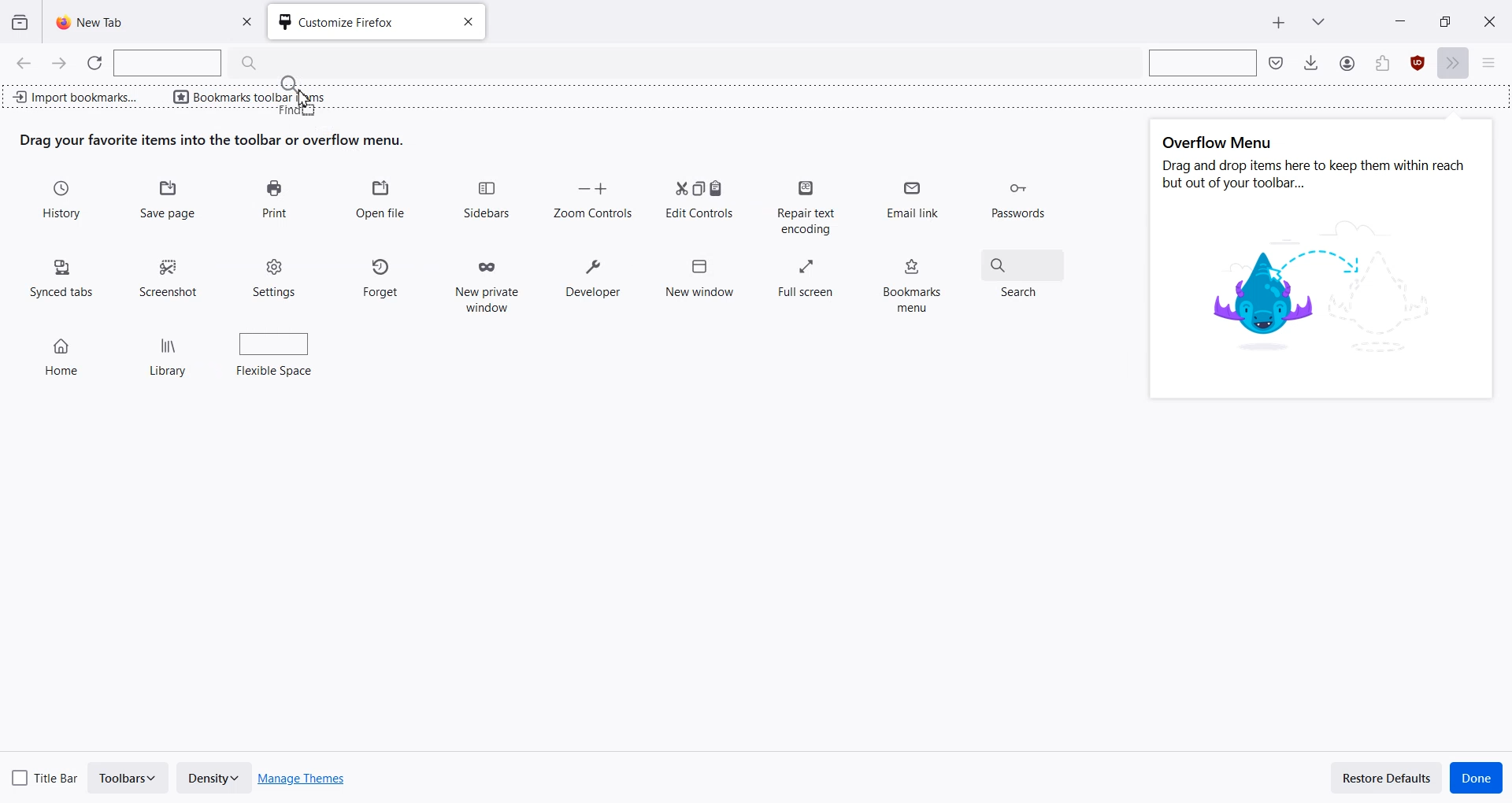 The width and height of the screenshot is (1512, 803). I want to click on Close, so click(1489, 20).